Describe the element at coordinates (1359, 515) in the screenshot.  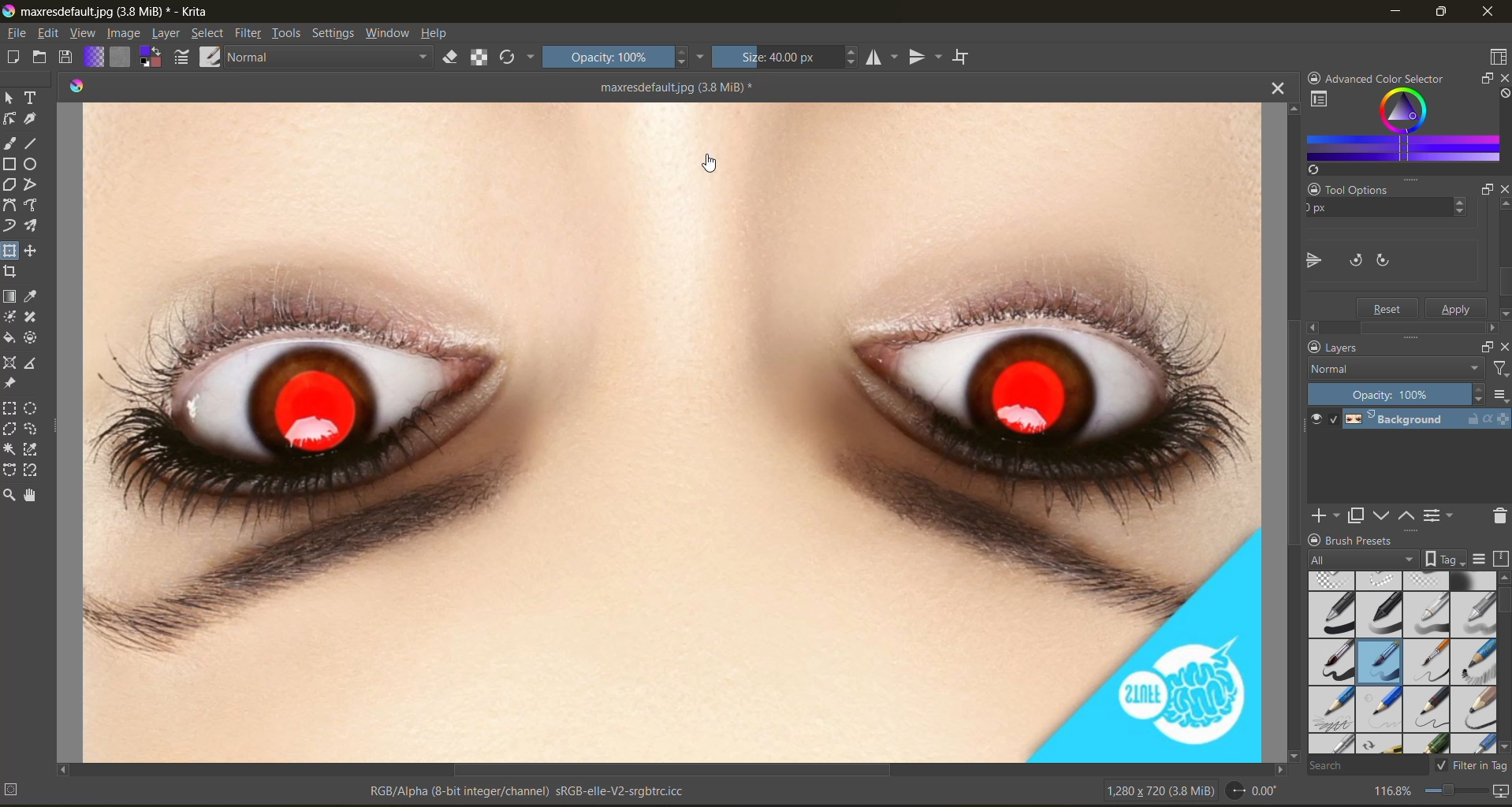
I see `duplicate layer or mask` at that location.